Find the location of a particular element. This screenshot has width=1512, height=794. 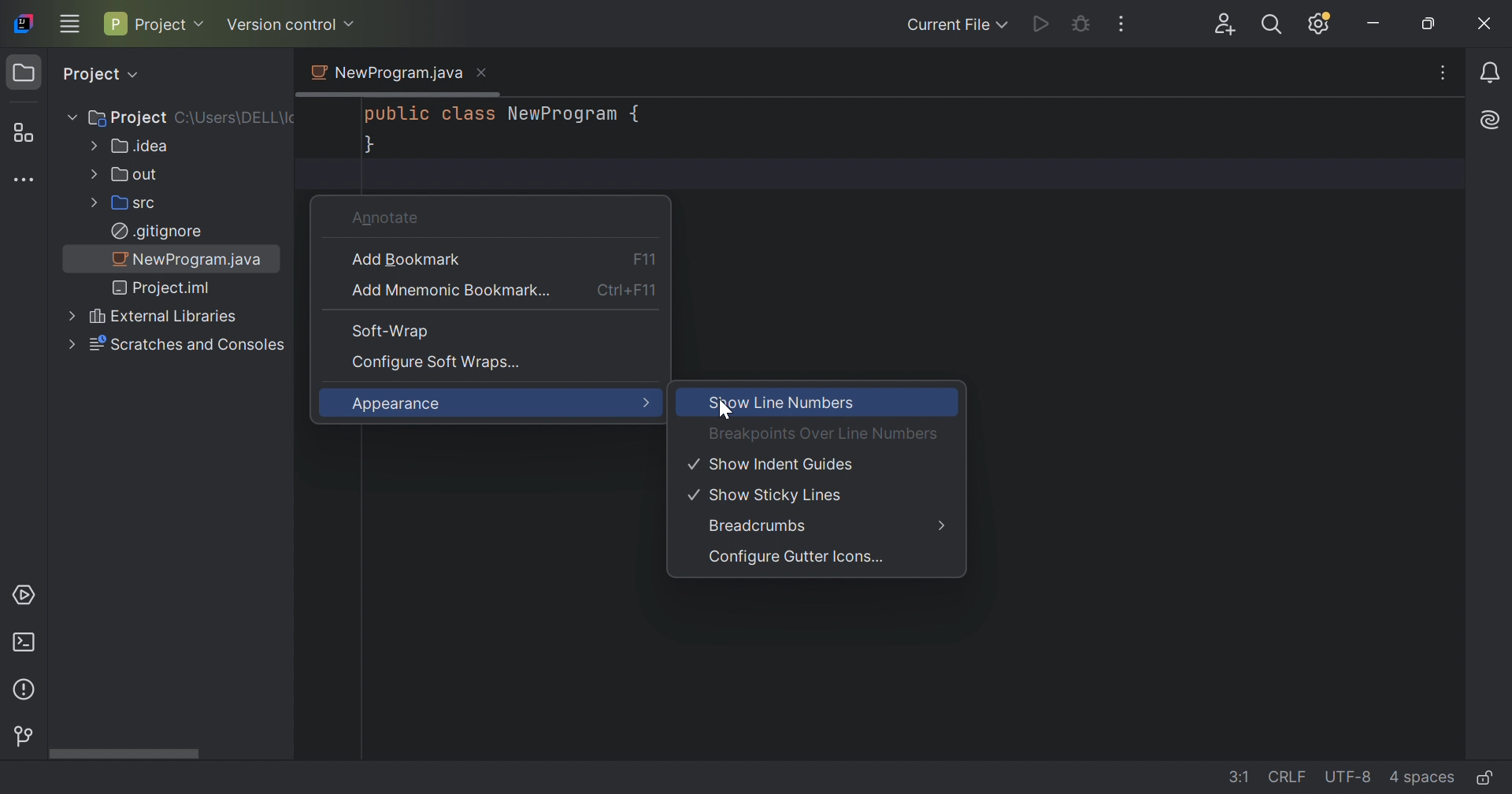

Show Indent Guides is located at coordinates (774, 463).